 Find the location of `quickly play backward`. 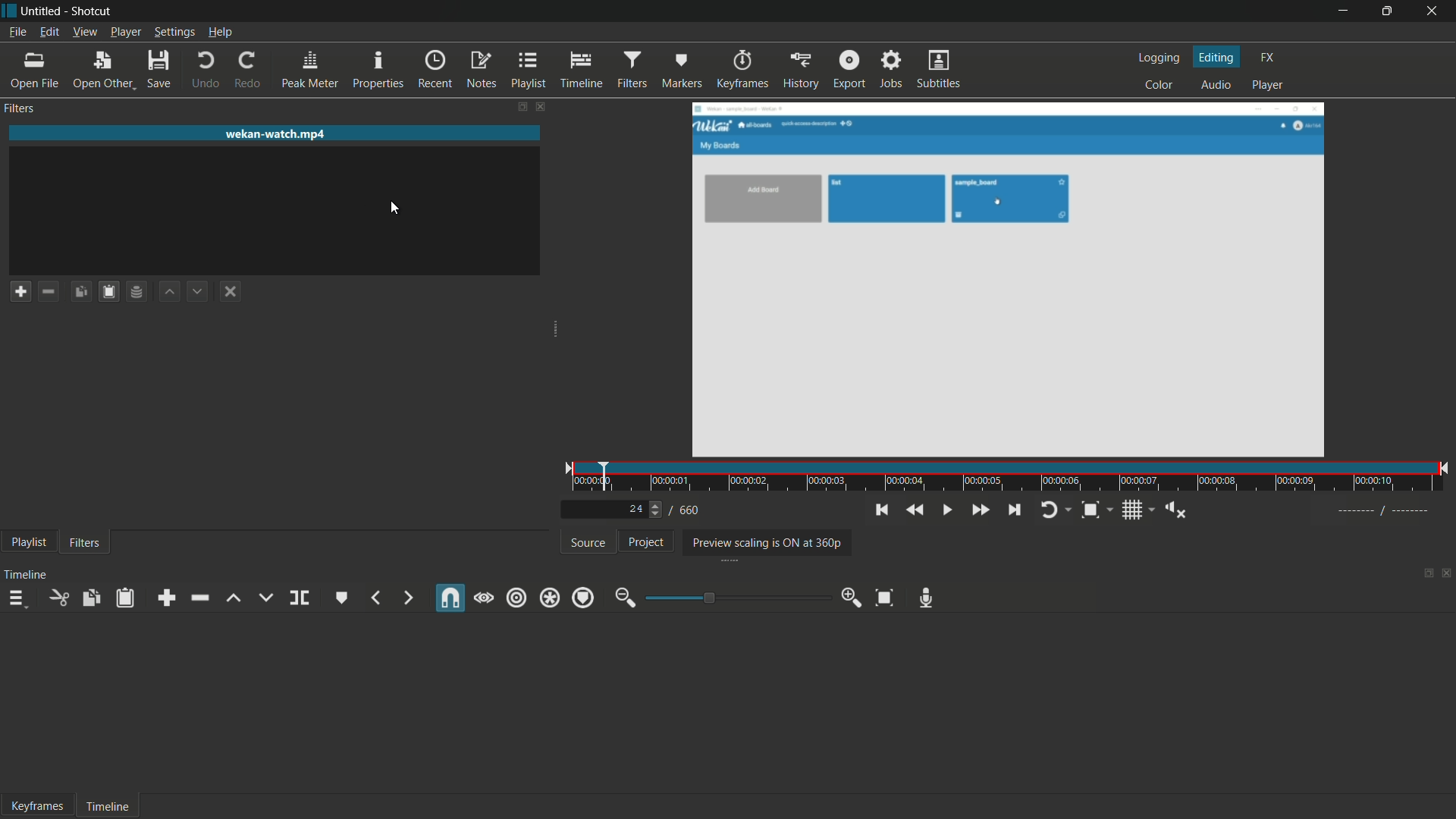

quickly play backward is located at coordinates (916, 510).